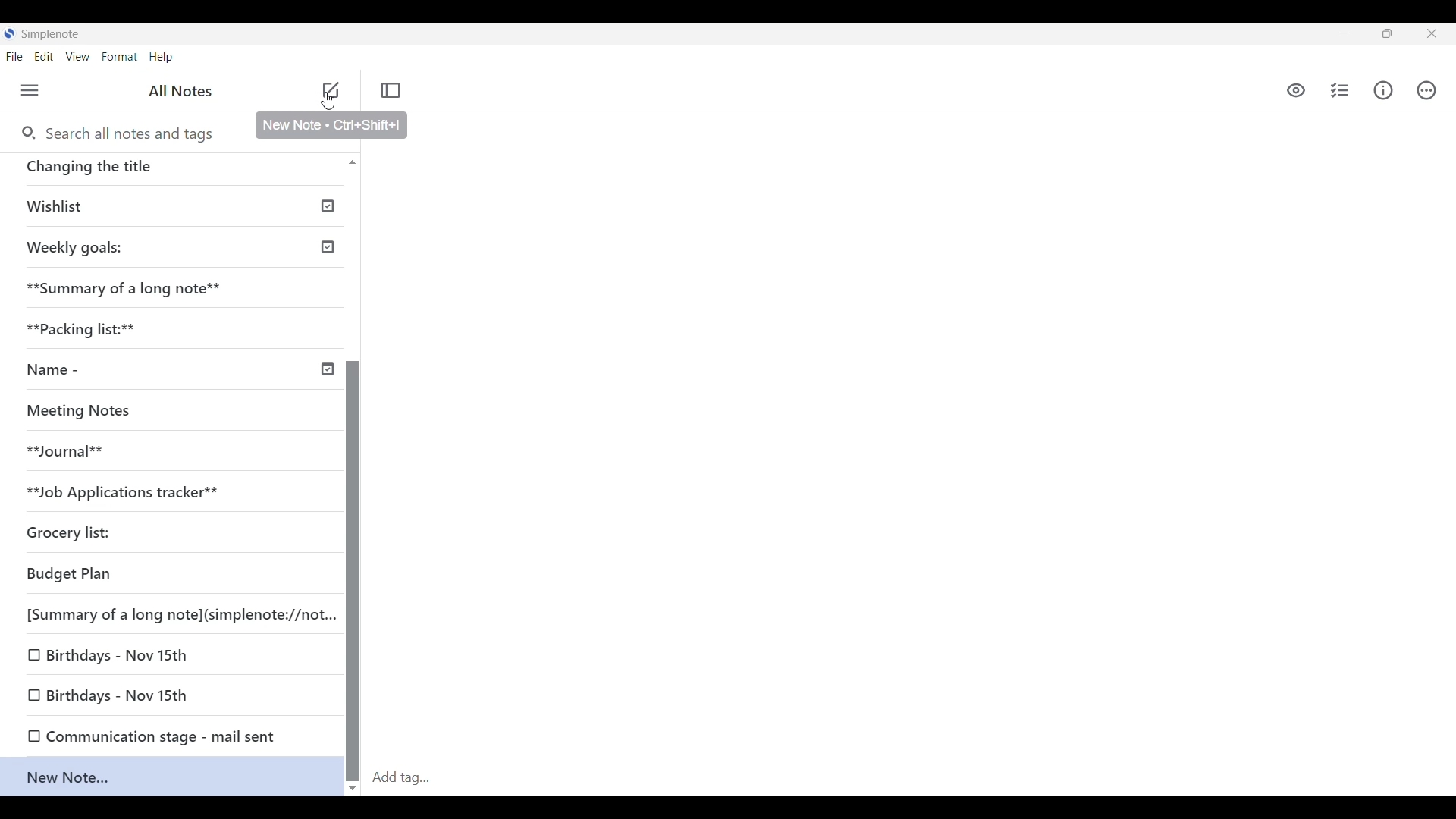  Describe the element at coordinates (62, 206) in the screenshot. I see `Wishlist` at that location.